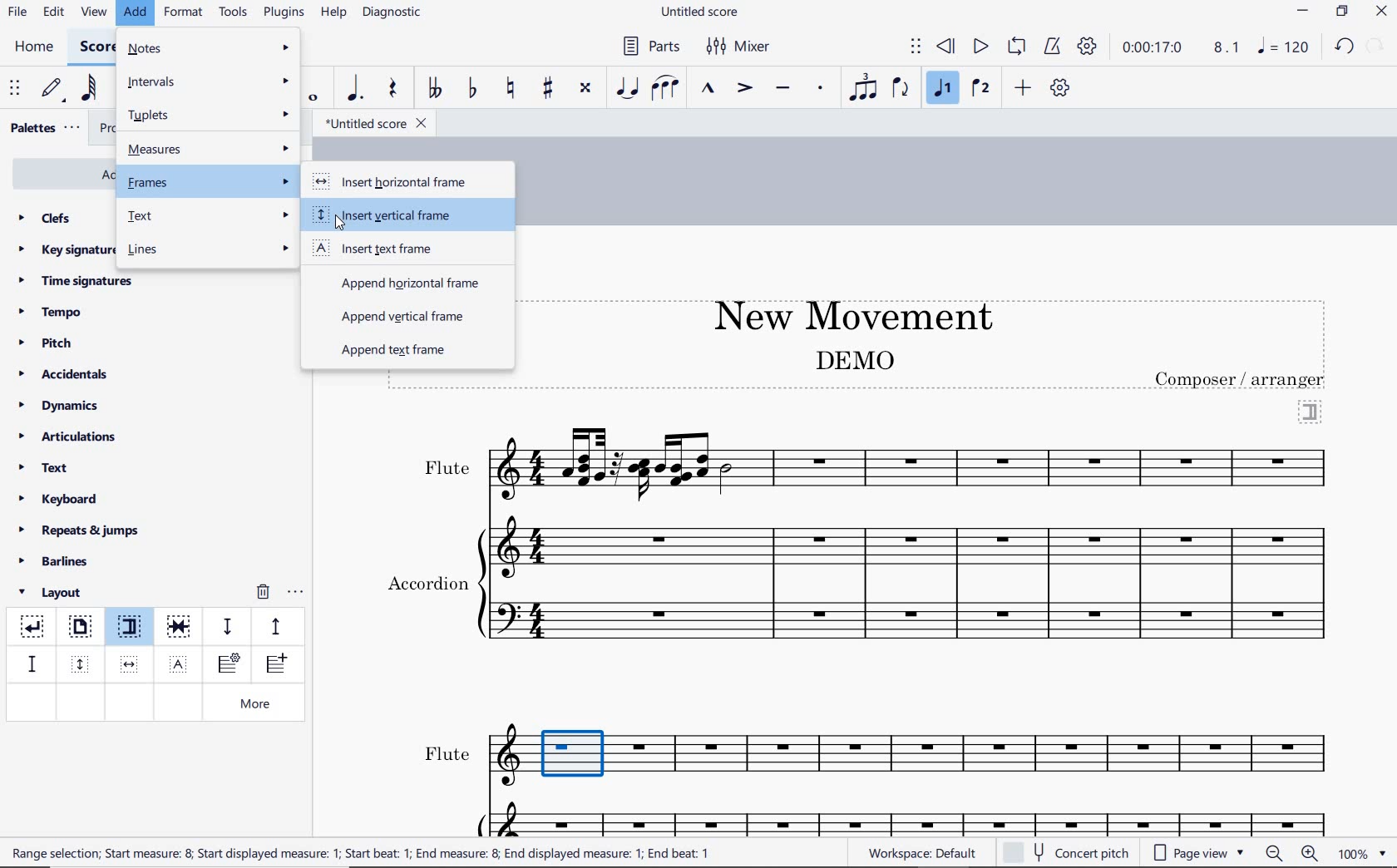  I want to click on insert horizontal, so click(130, 664).